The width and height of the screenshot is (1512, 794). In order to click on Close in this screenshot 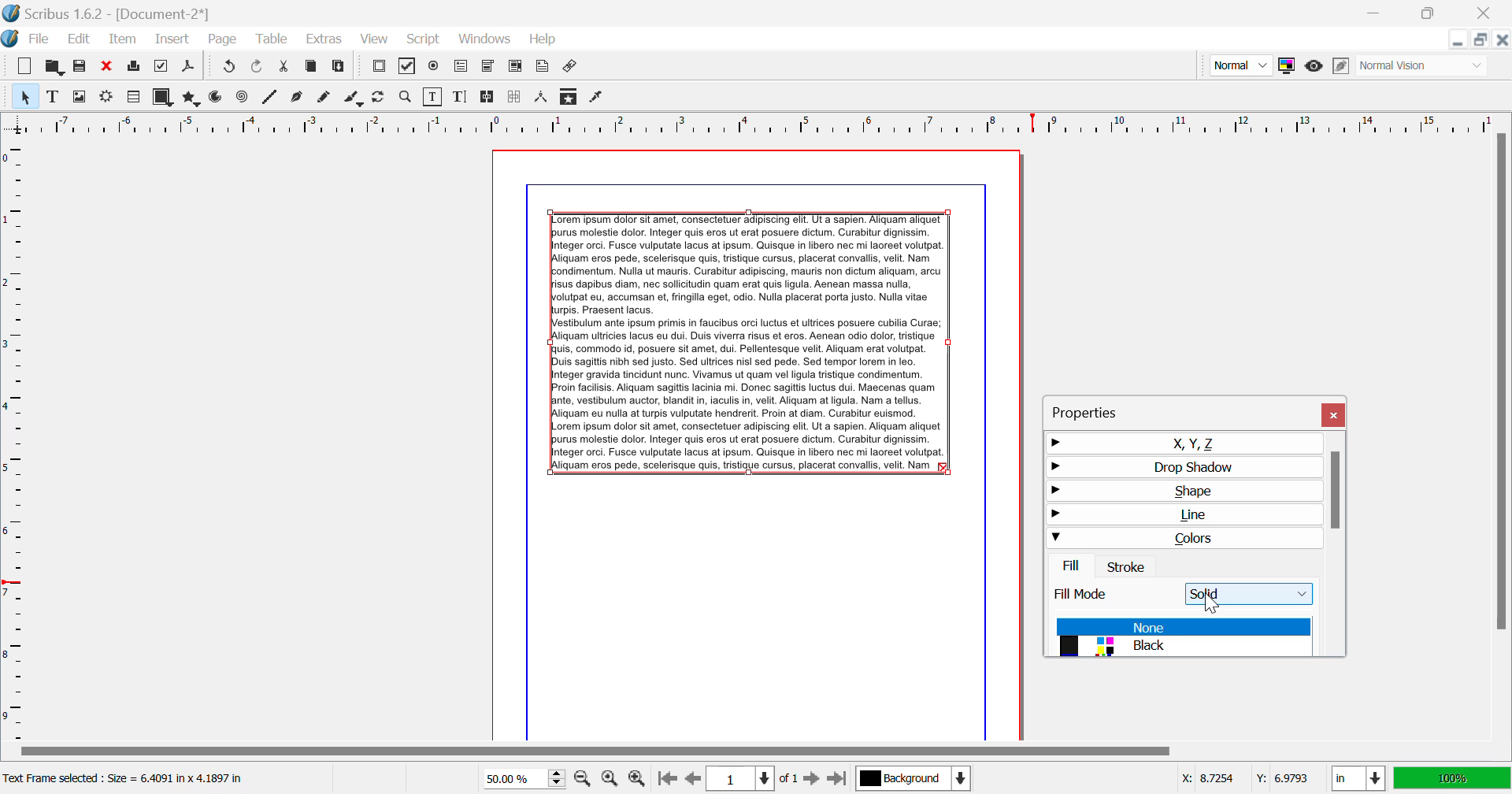, I will do `click(1503, 39)`.